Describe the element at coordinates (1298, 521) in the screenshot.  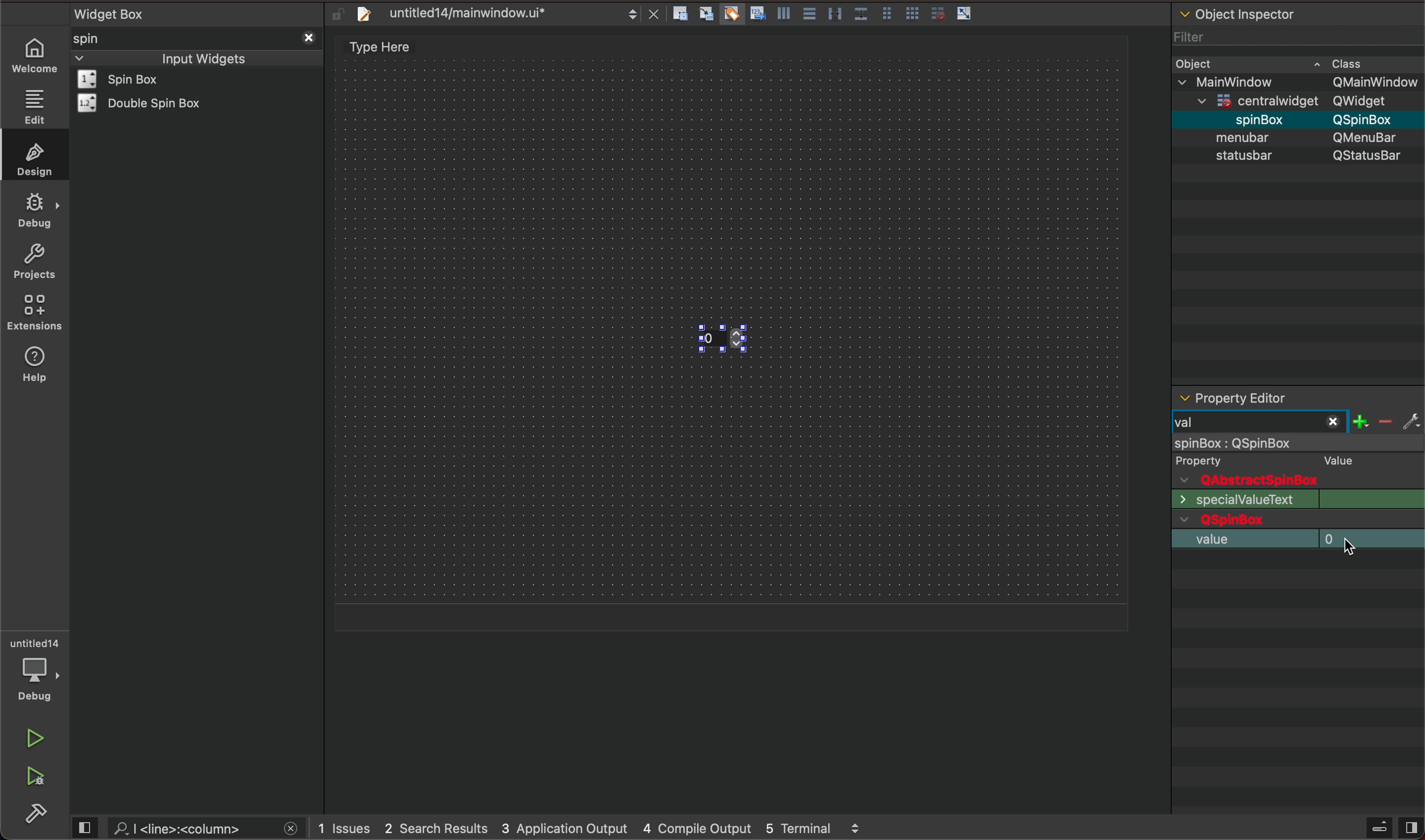
I see `qwidget` at that location.